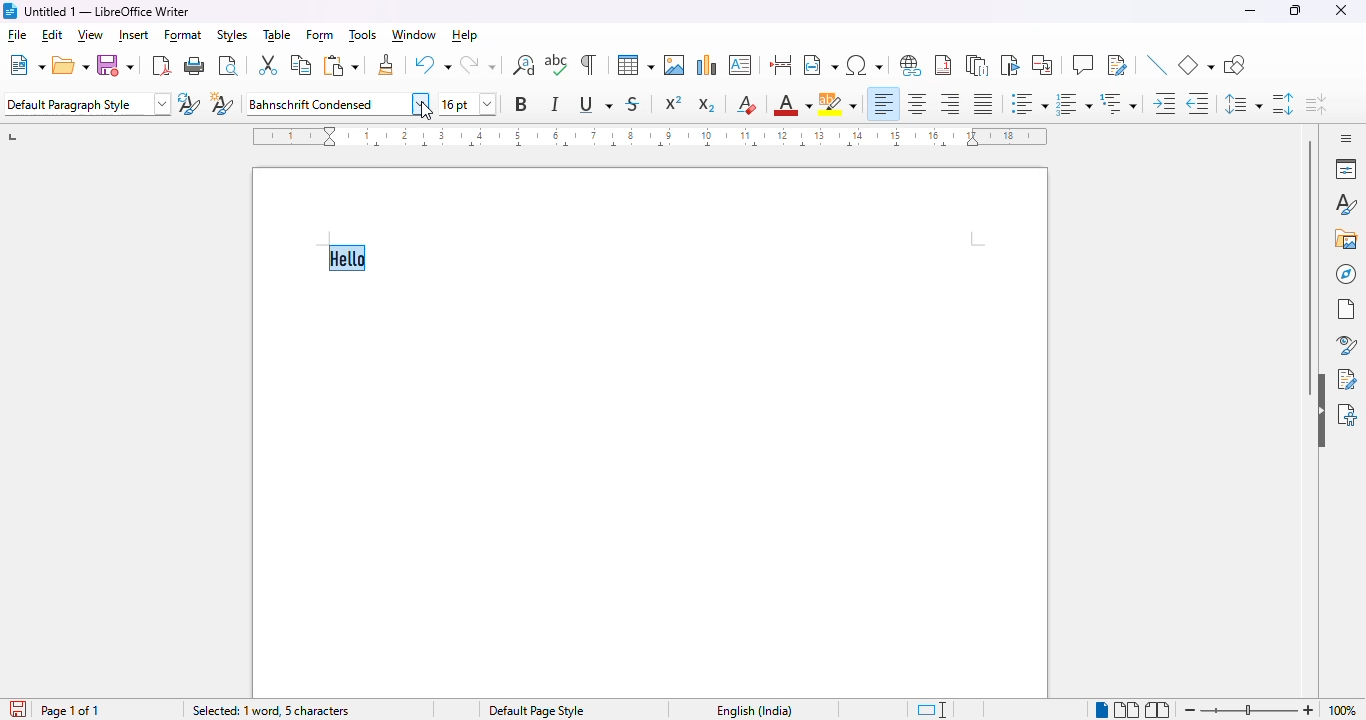 The height and width of the screenshot is (720, 1366). I want to click on clone formatting, so click(386, 63).